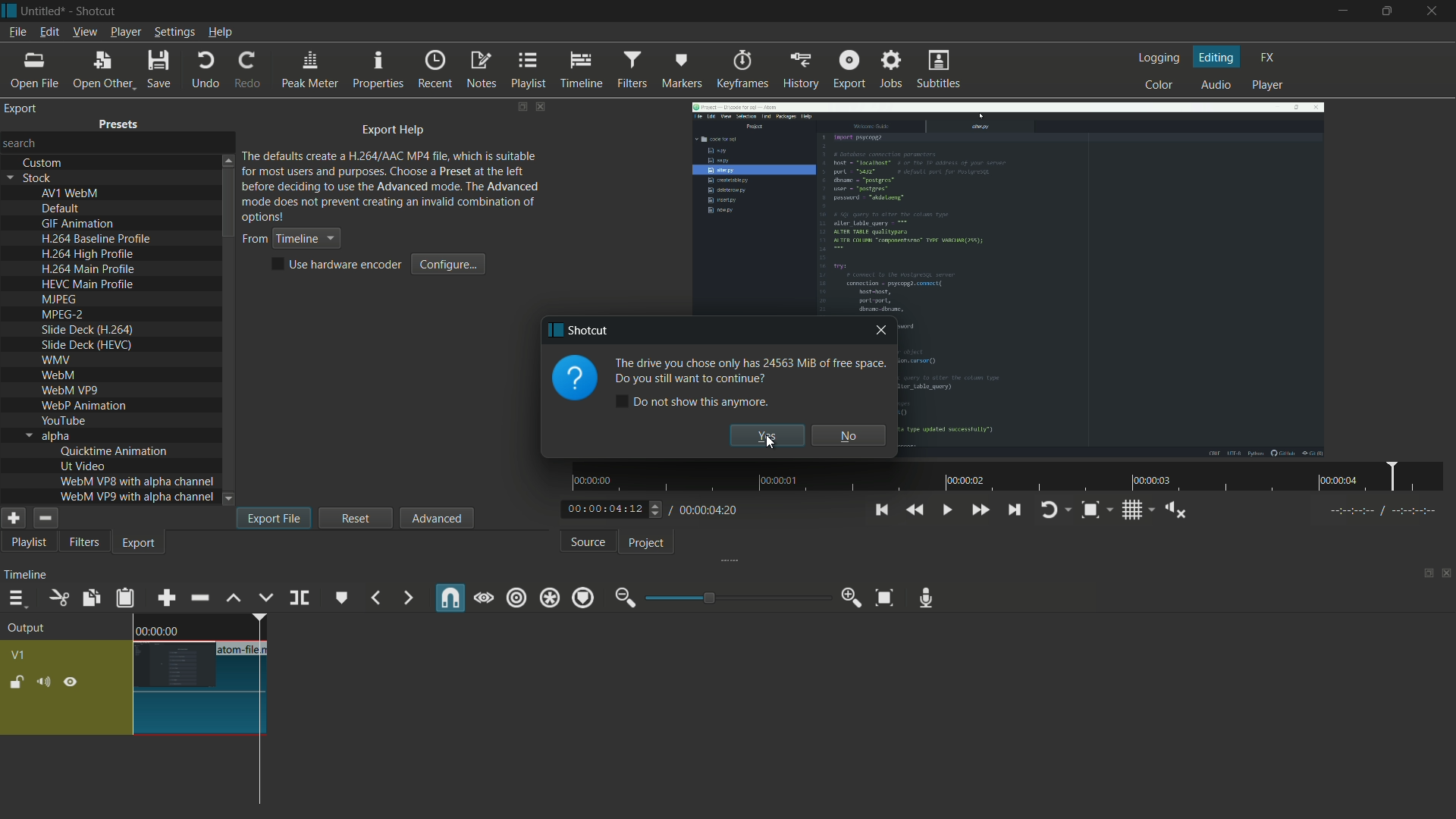  What do you see at coordinates (17, 32) in the screenshot?
I see `file menu` at bounding box center [17, 32].